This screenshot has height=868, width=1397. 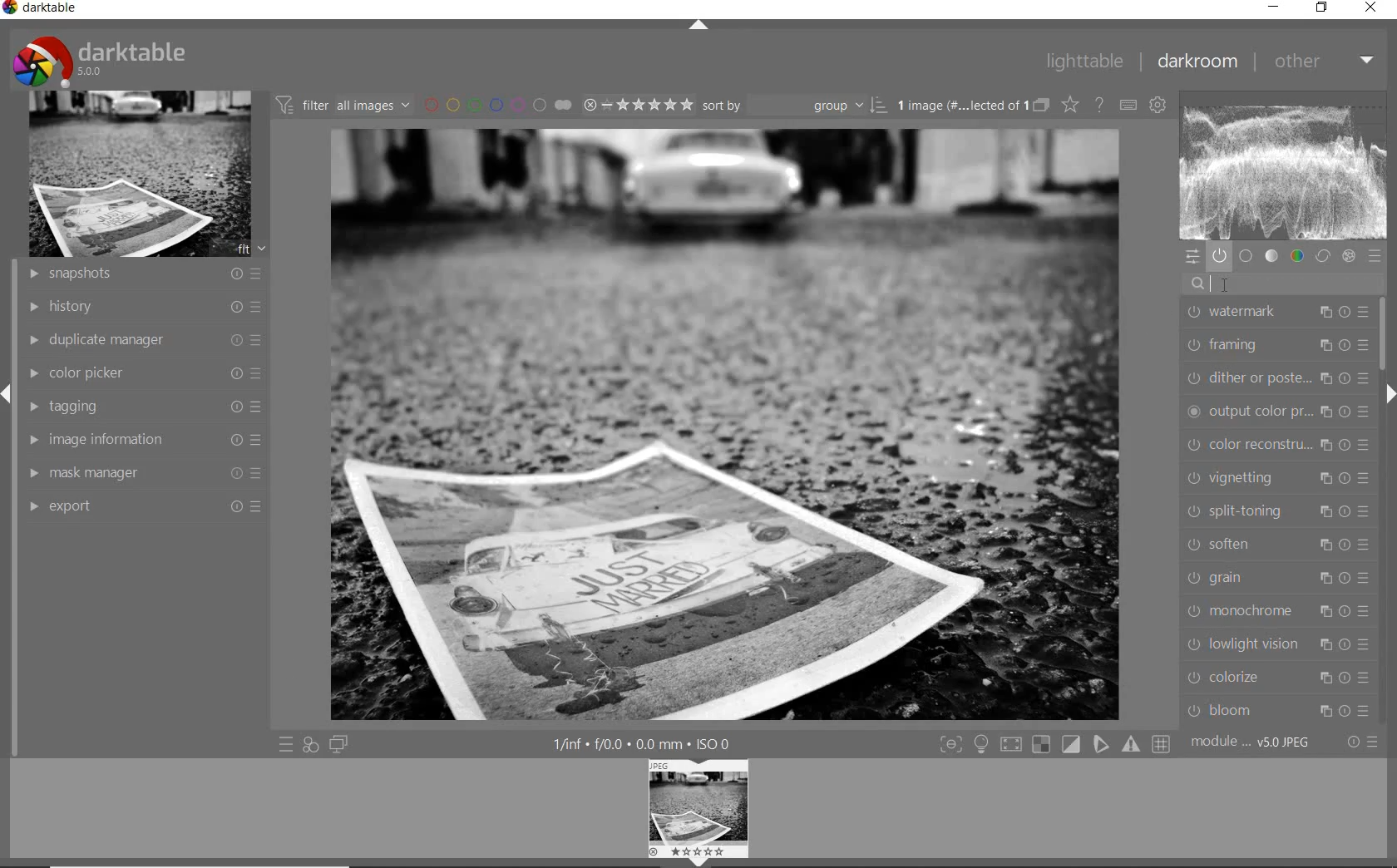 I want to click on color, so click(x=1296, y=257).